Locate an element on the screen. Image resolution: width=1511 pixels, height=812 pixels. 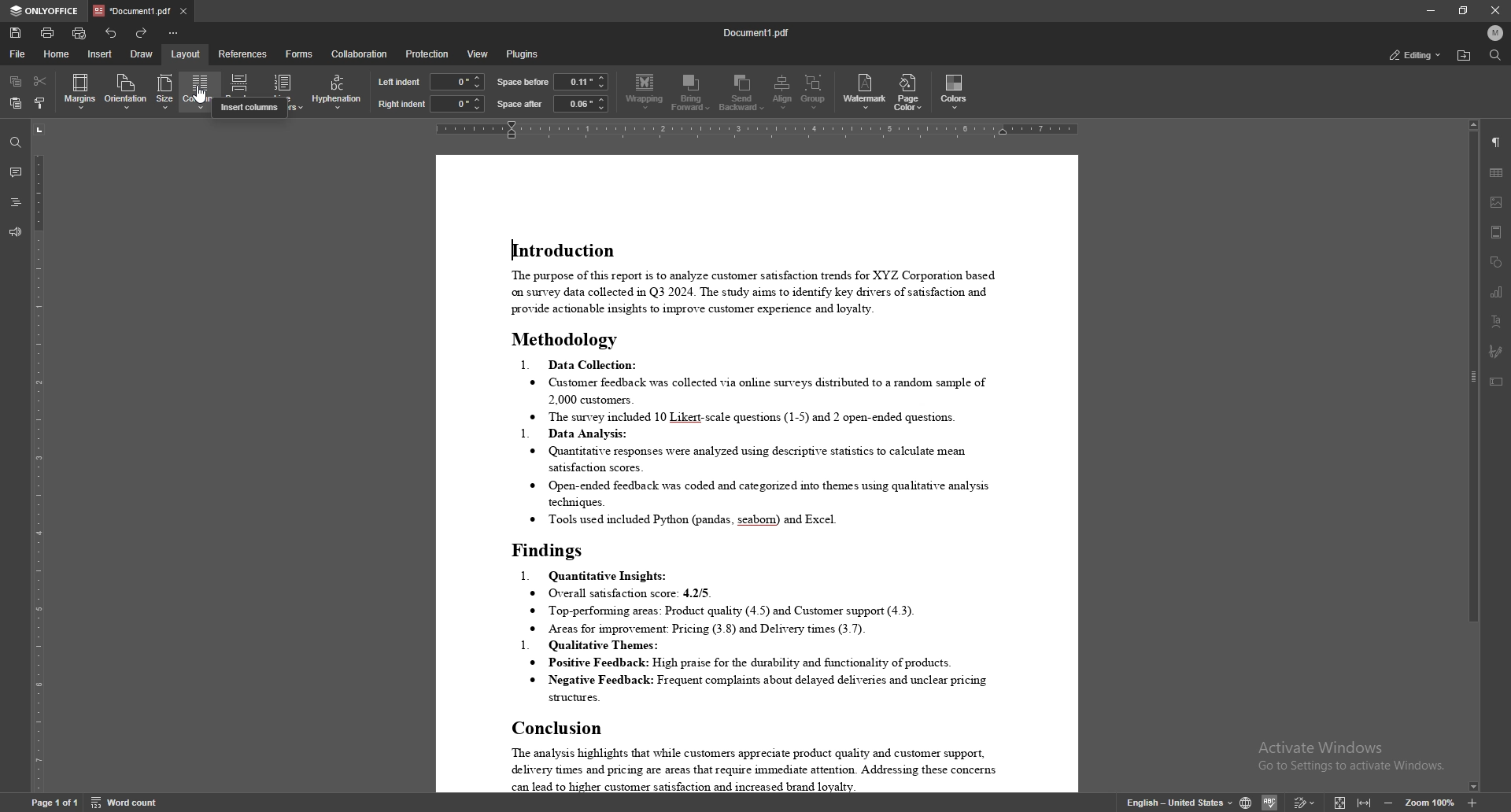
watermark is located at coordinates (866, 91).